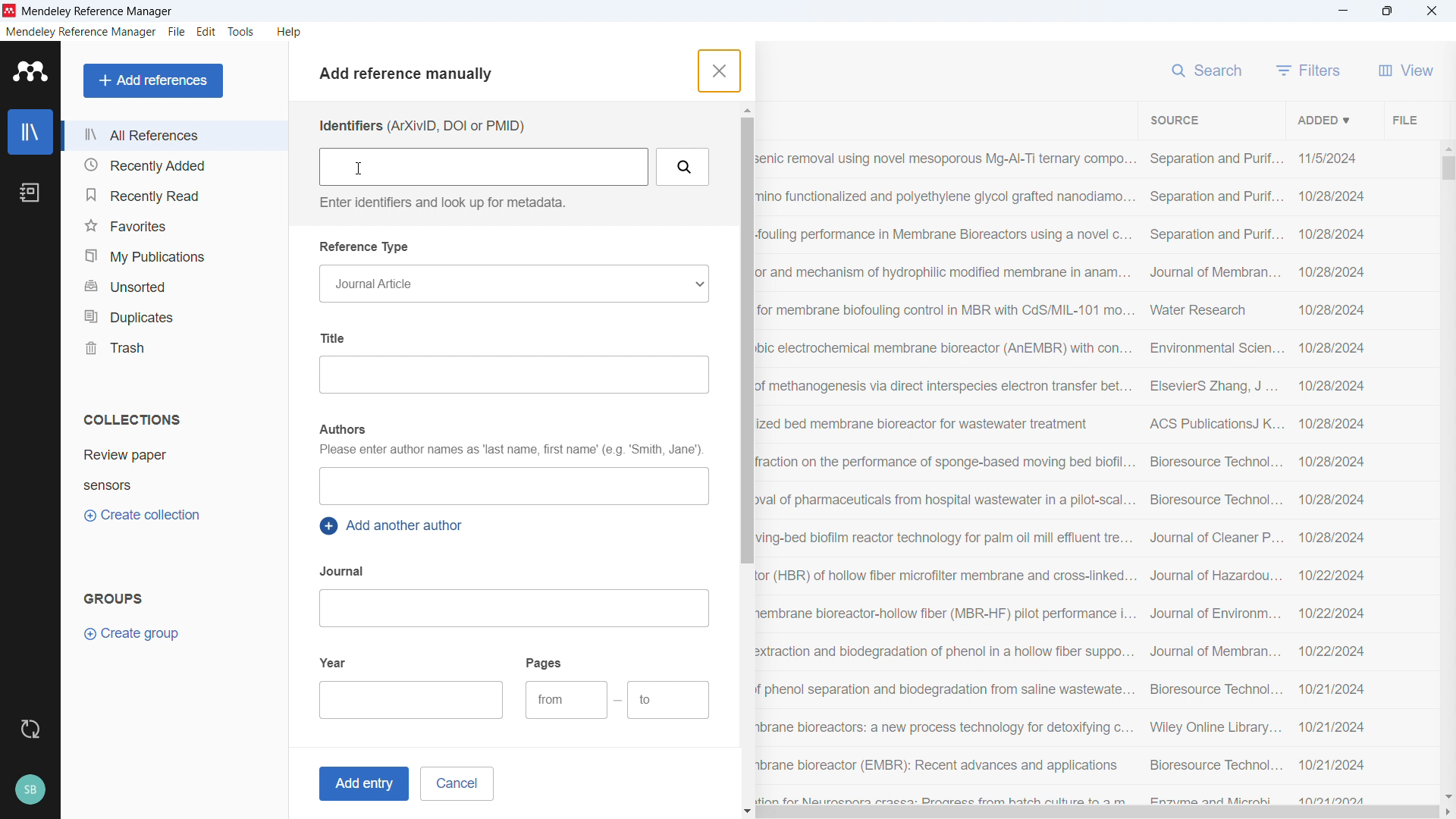 The image size is (1456, 819). I want to click on Library , so click(30, 132).